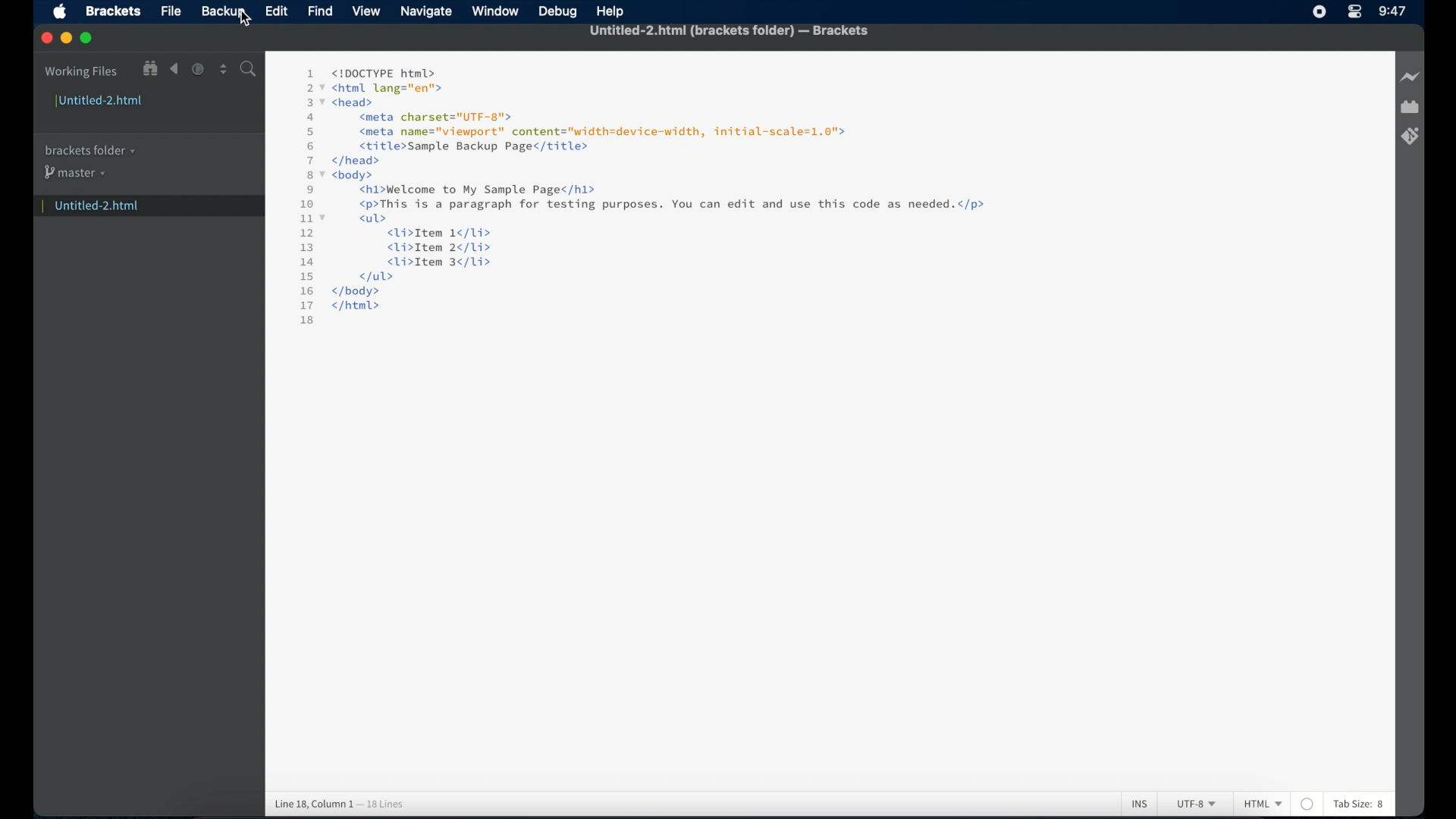 The image size is (1456, 819). What do you see at coordinates (651, 196) in the screenshot?
I see `1 <IDOCTYPE html>

2 7 <html lang="en">

37 <head>

a <meta charset="UTF-8">

5 <meta name="viewport" content="width=device-width, initial-scale=1.e">
6 <title>Sample Backup Page</title>

7 </head>

8 7 <body>

9 <hl>Welcome to My Sample Page</h1>

10 <p>This is a paragraph for testing purposes. You can edit and use this code as needed.</p>
mr <ul>

12 <Ui>Item 1</14>

13 <Ui>Item 2¢/14>

14 <Ui>Item 3¢/li>

15 </ul>

16 </body>

17 </html>

18` at bounding box center [651, 196].